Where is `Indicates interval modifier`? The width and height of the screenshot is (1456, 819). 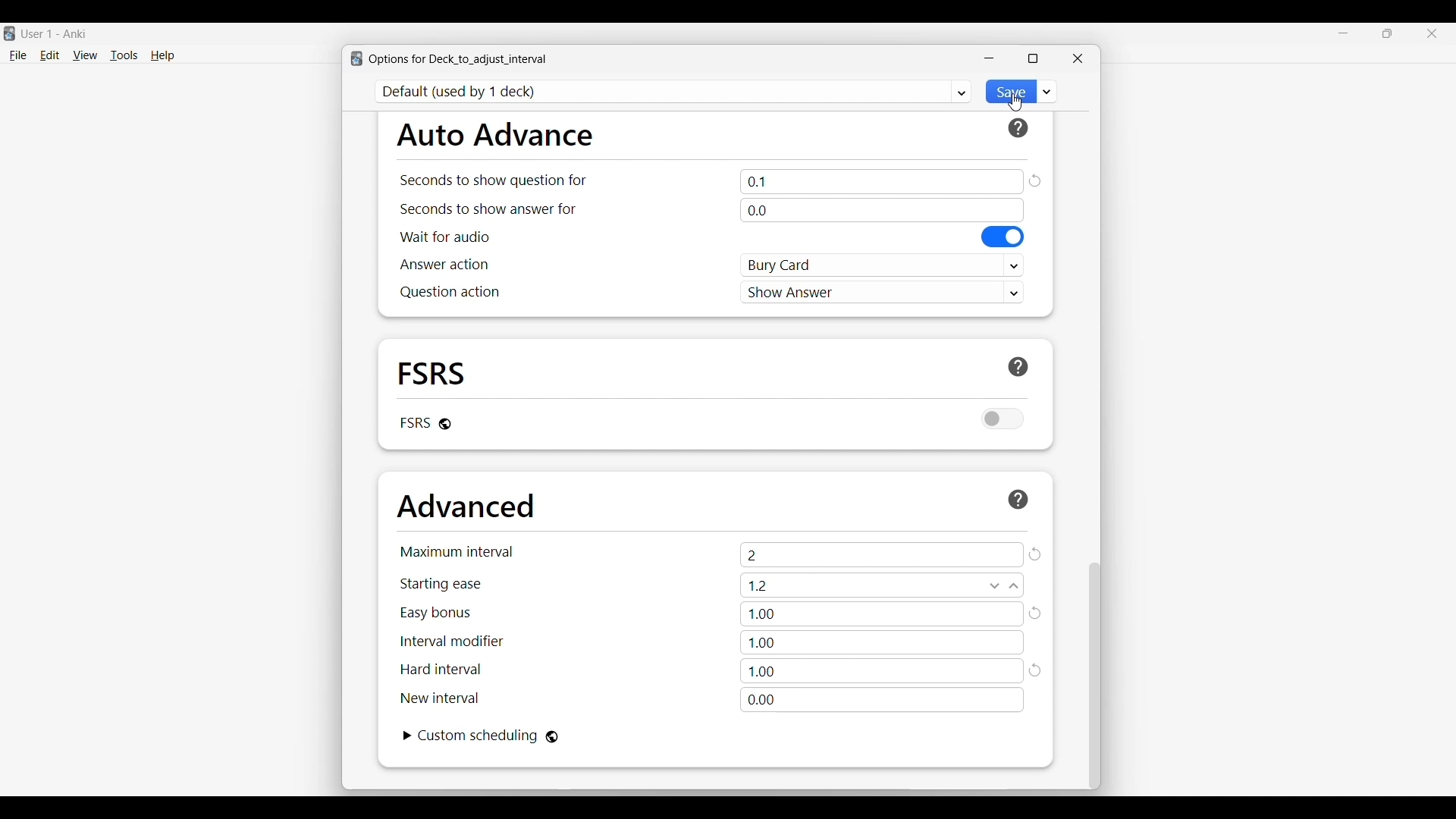 Indicates interval modifier is located at coordinates (452, 641).